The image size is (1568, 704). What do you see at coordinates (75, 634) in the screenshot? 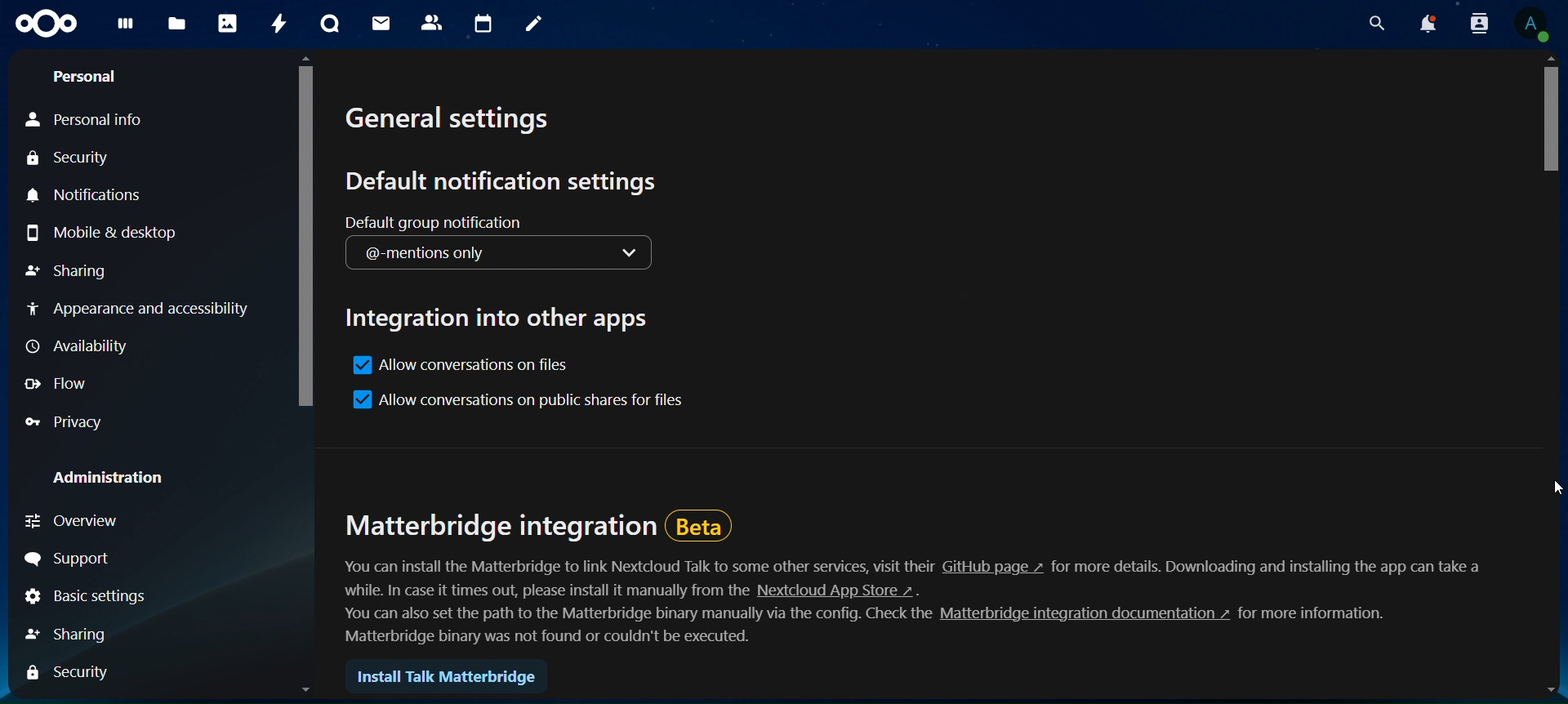
I see `sharing` at bounding box center [75, 634].